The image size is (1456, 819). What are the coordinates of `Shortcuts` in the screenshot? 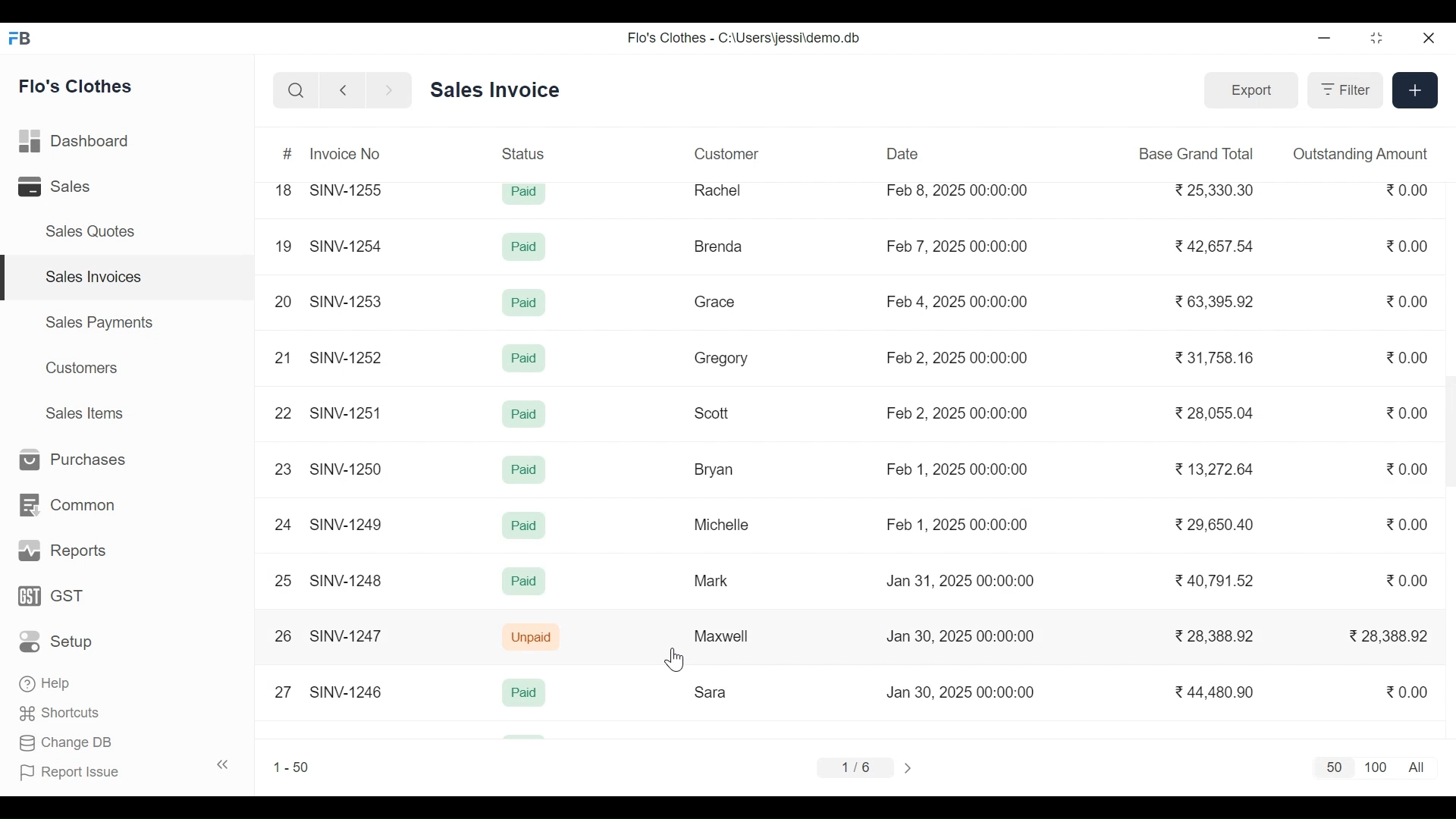 It's located at (61, 716).